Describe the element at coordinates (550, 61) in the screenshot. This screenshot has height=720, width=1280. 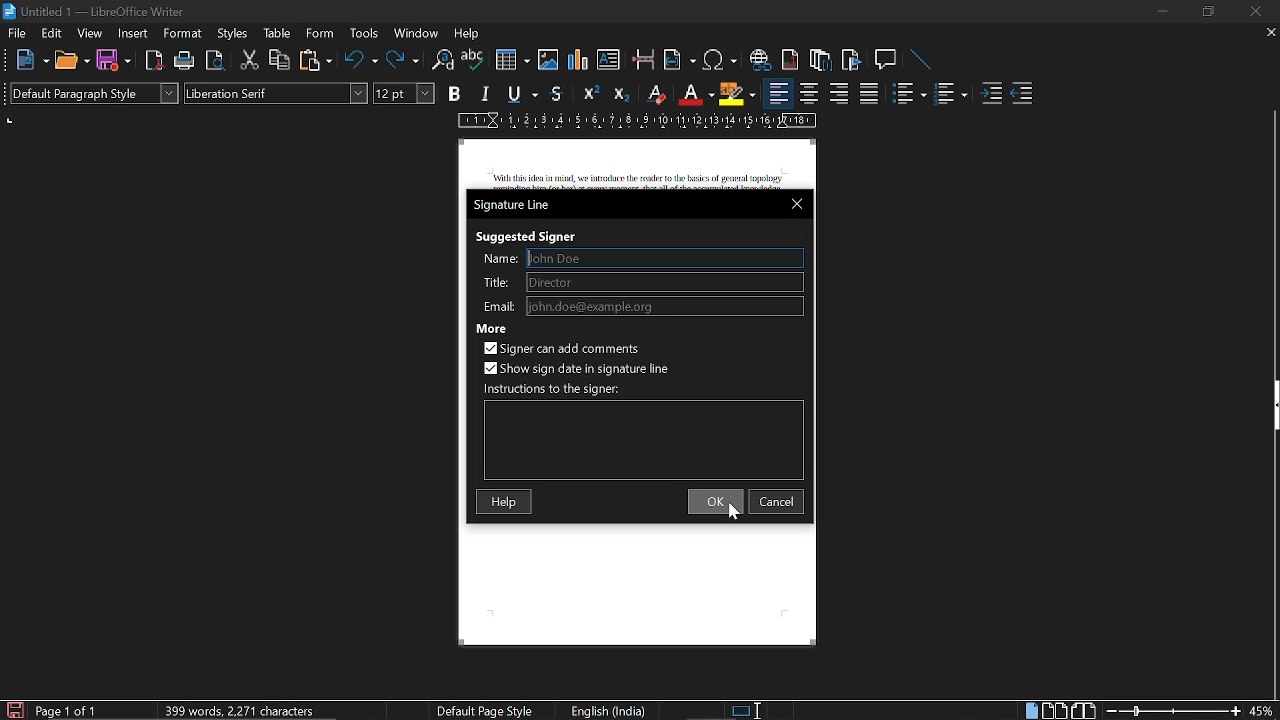
I see `insert image` at that location.